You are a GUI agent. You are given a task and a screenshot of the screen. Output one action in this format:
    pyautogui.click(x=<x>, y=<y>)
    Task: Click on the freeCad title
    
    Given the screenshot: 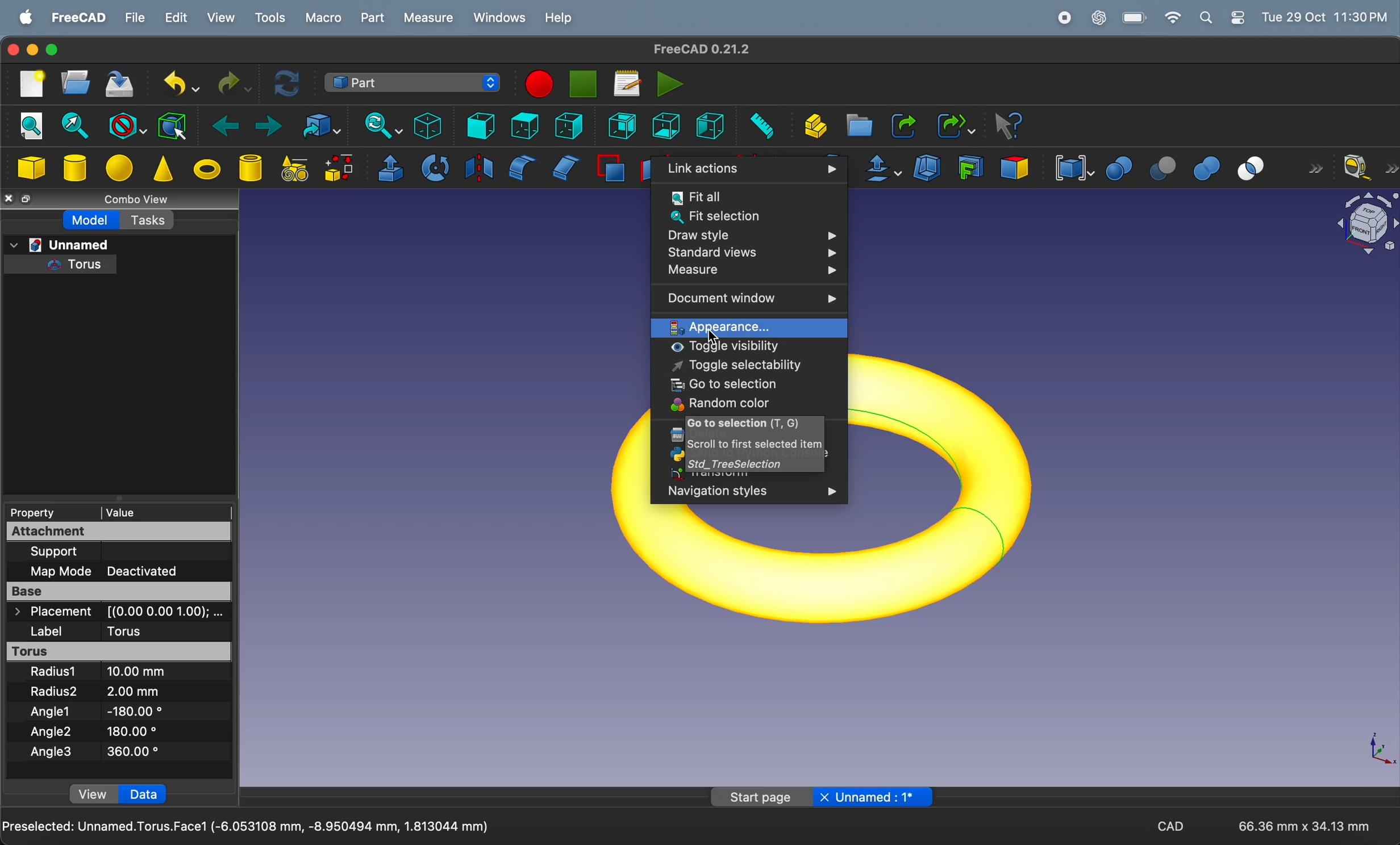 What is the action you would take?
    pyautogui.click(x=695, y=49)
    